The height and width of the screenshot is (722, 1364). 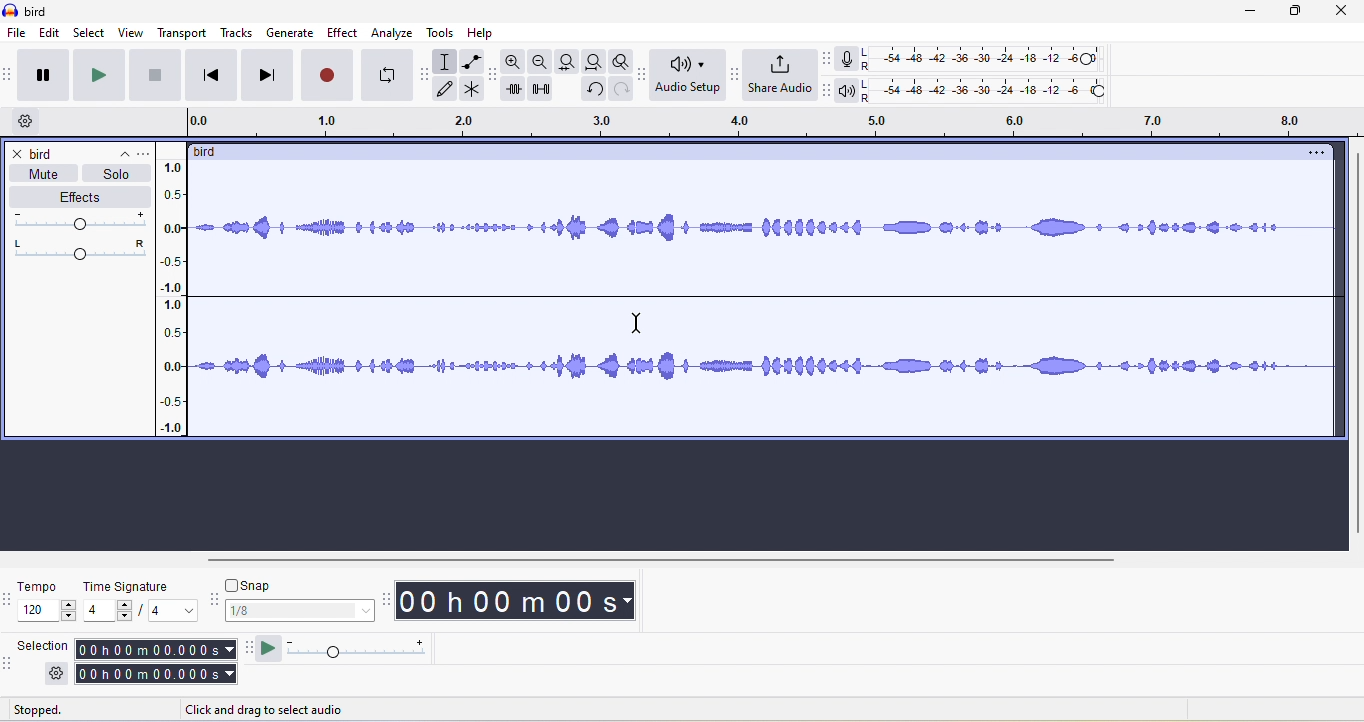 I want to click on help, so click(x=485, y=33).